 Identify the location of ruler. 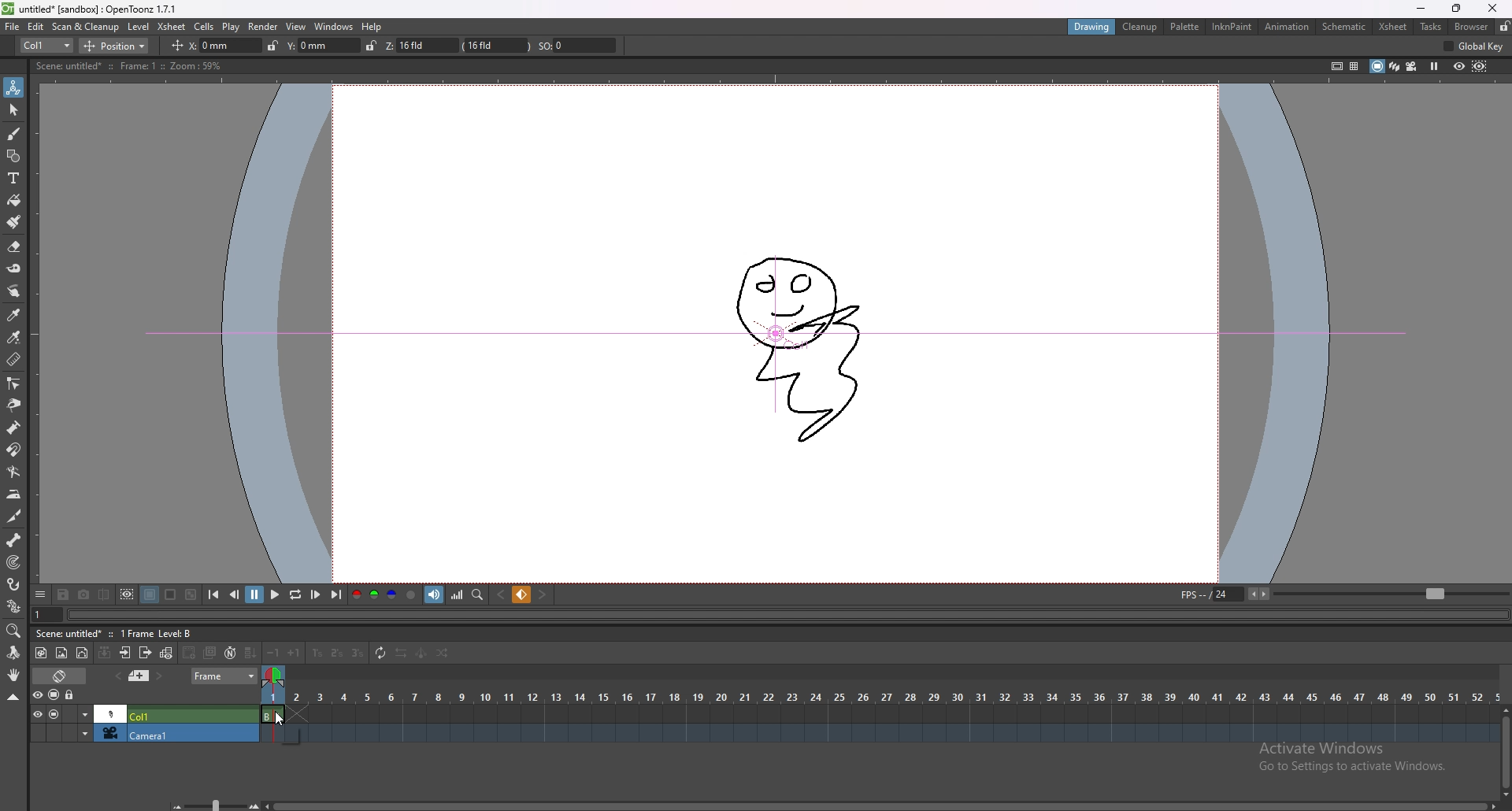
(13, 358).